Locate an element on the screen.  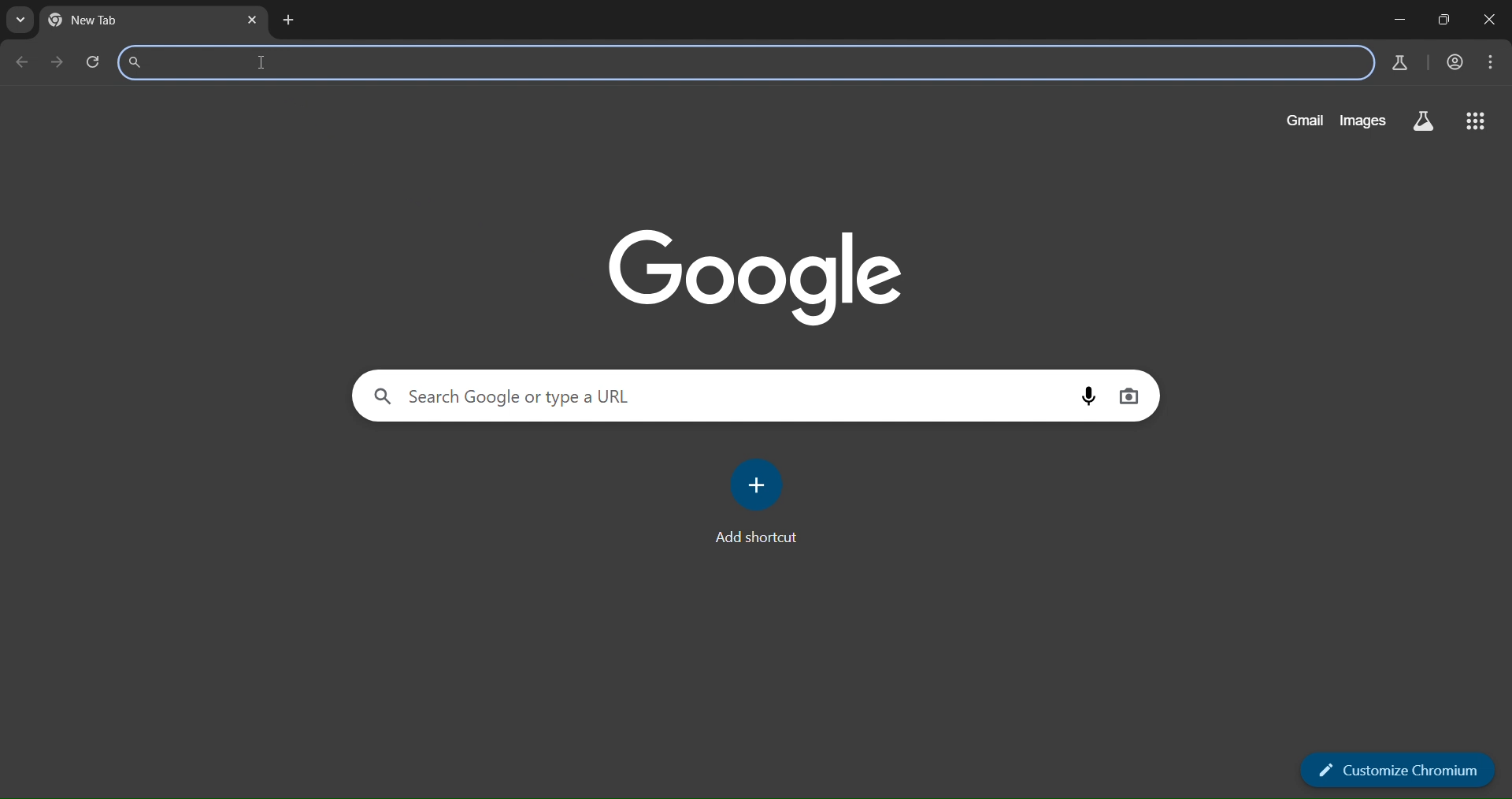
accounts is located at coordinates (1455, 61).